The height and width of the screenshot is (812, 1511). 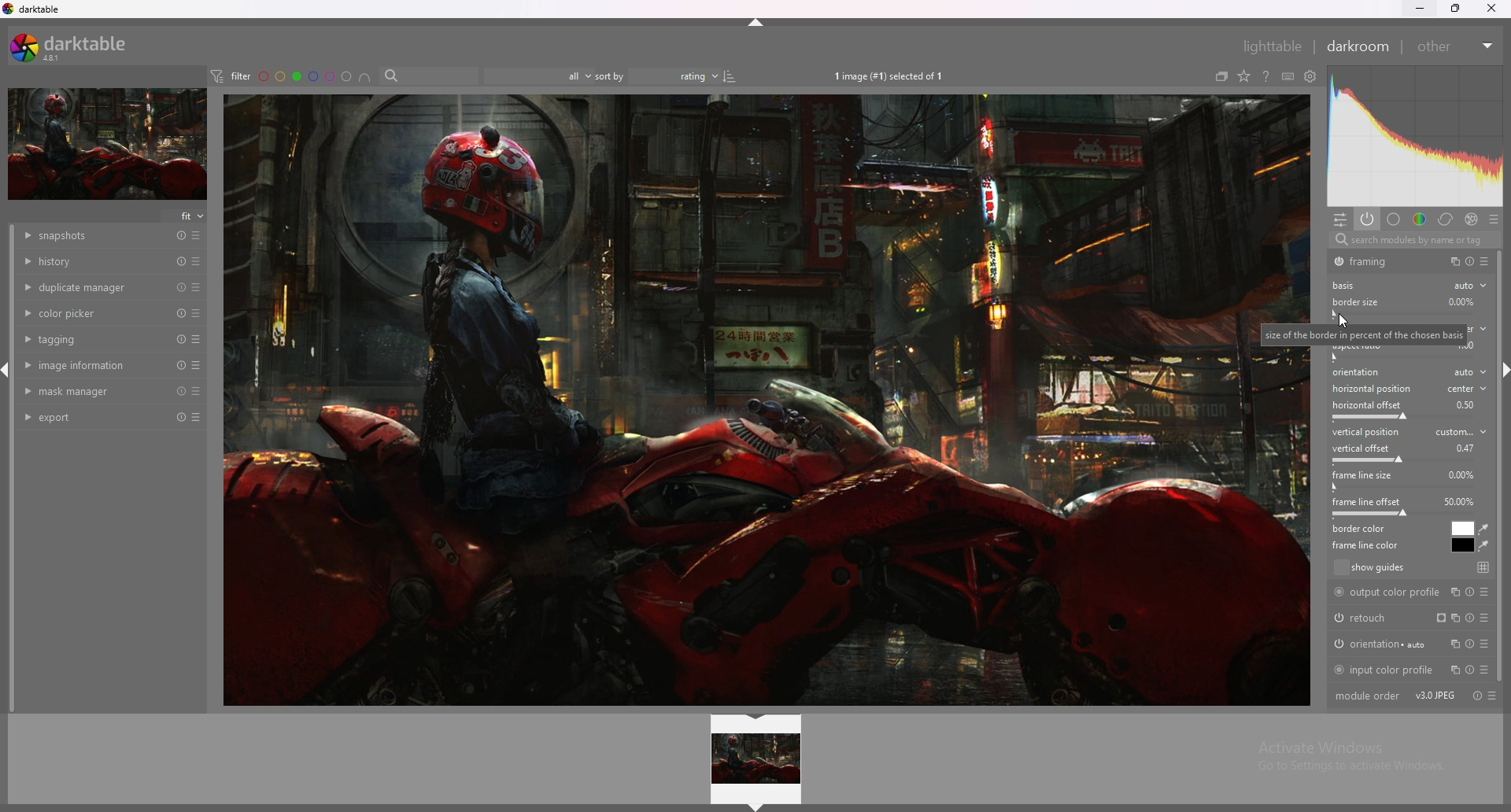 I want to click on presets, so click(x=197, y=365).